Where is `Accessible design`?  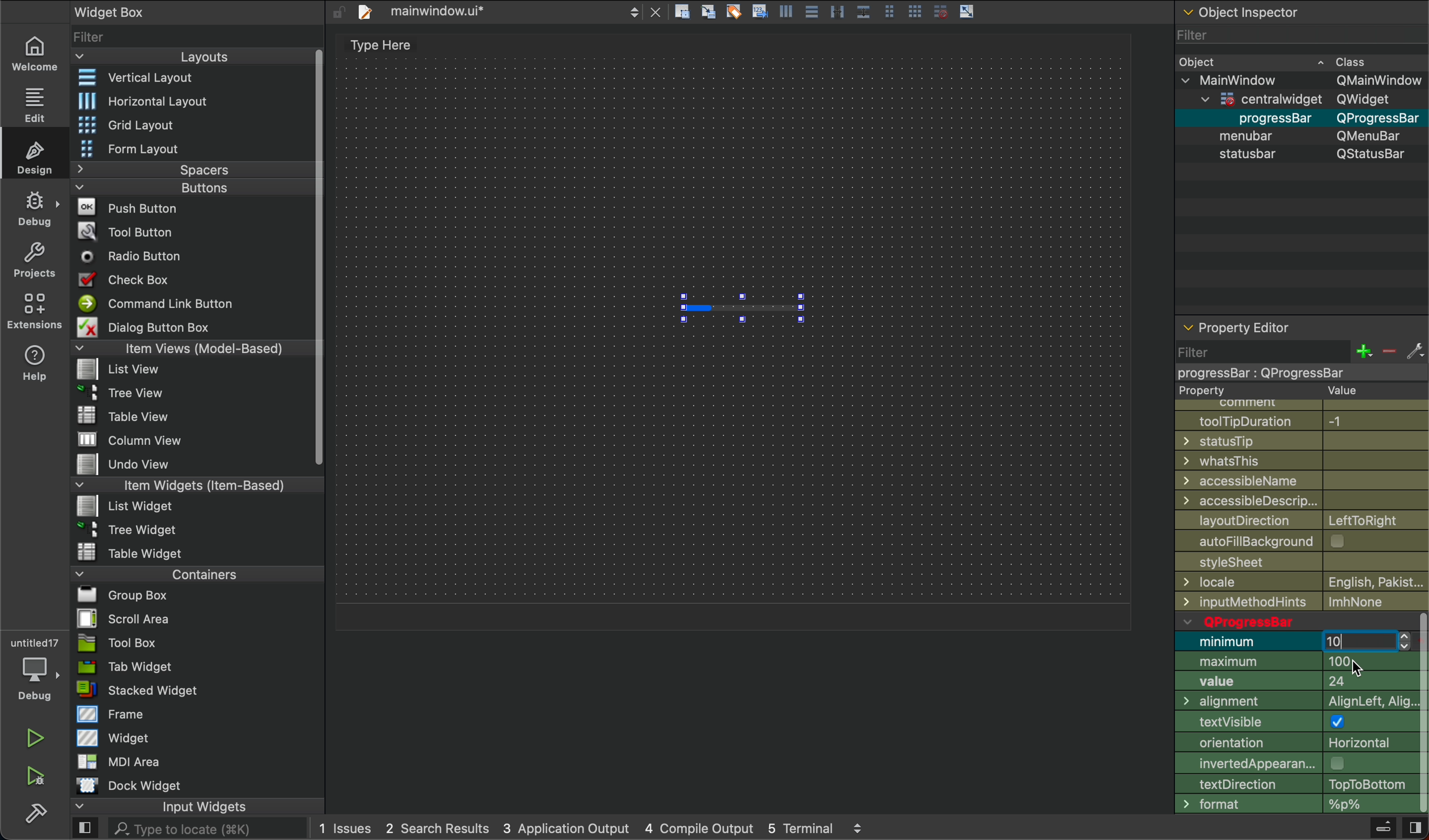 Accessible design is located at coordinates (1302, 500).